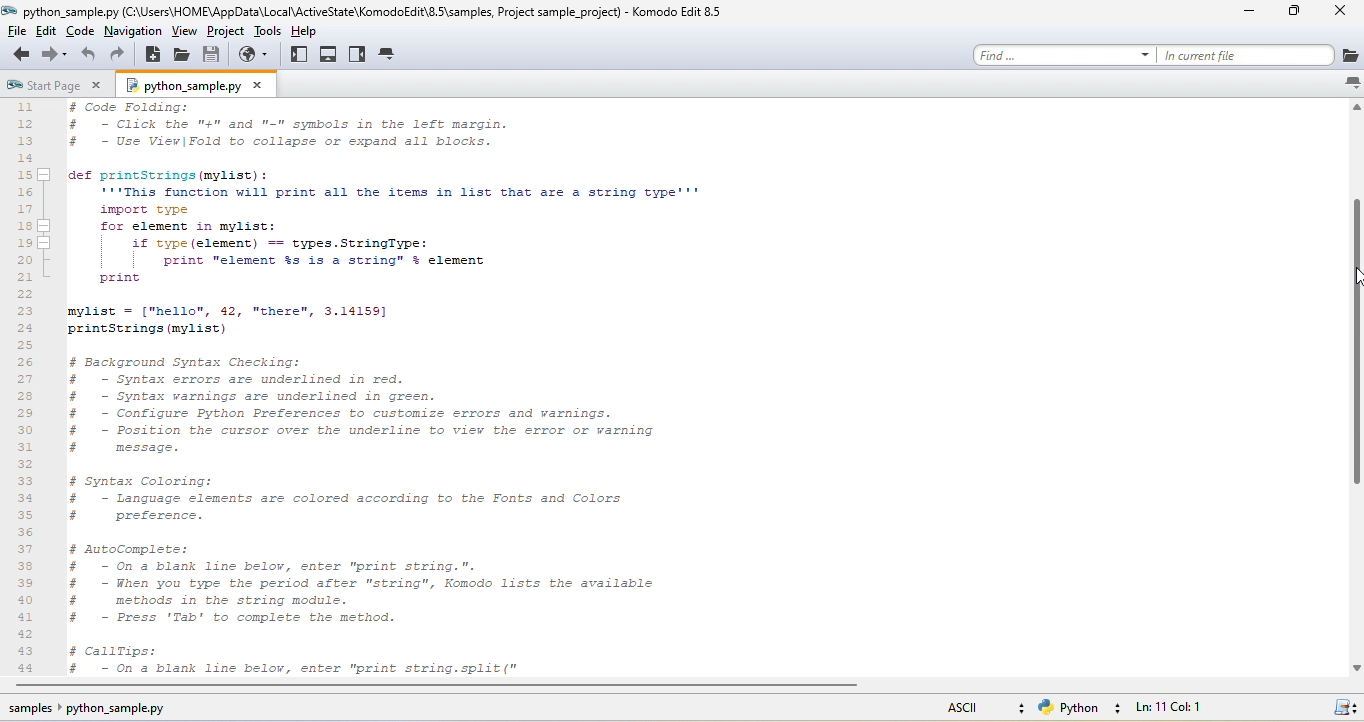 The image size is (1364, 722). I want to click on lnc11, col 1, so click(1202, 709).